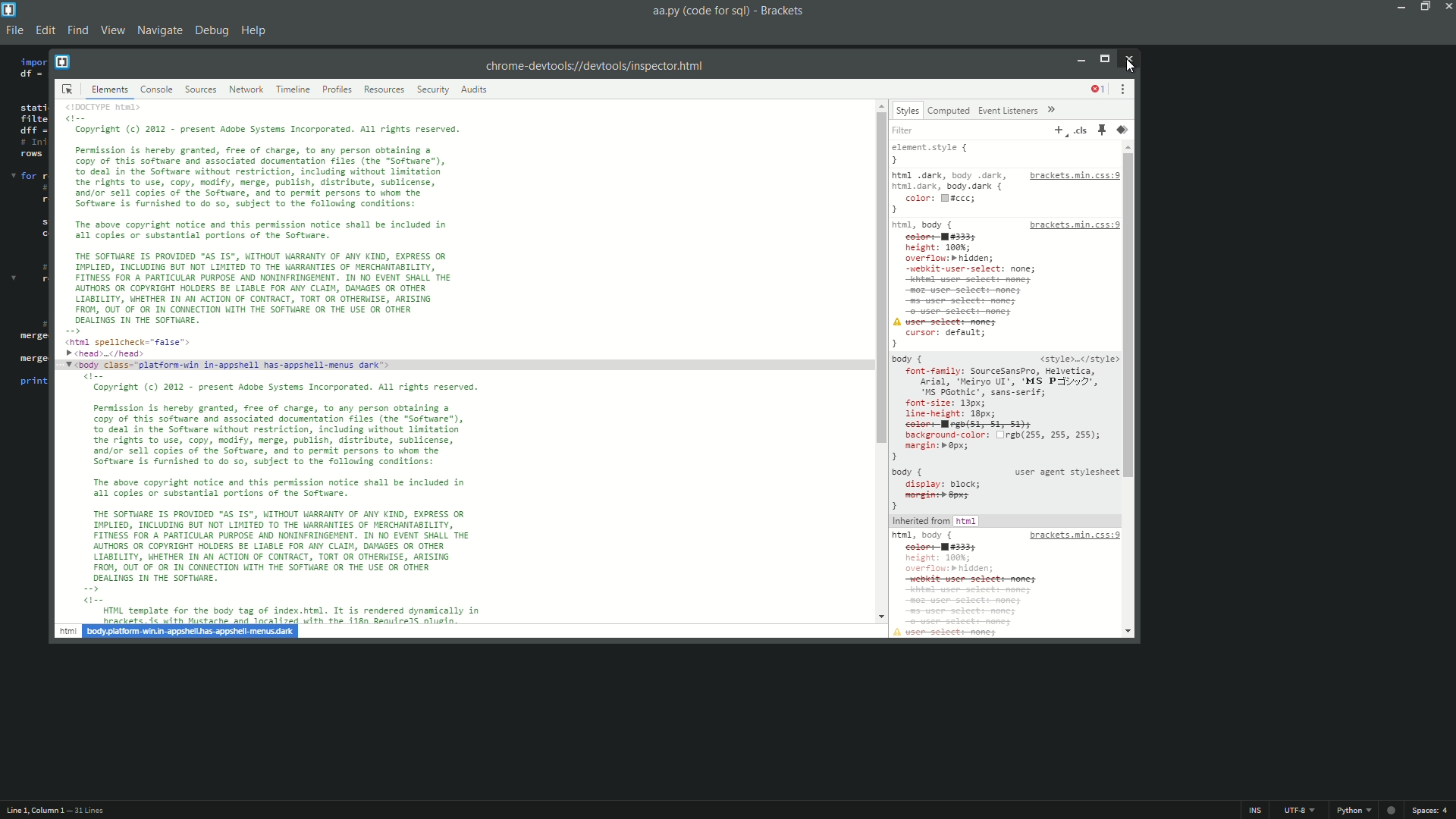 The width and height of the screenshot is (1456, 819). What do you see at coordinates (1432, 808) in the screenshot?
I see `spaces : 4` at bounding box center [1432, 808].